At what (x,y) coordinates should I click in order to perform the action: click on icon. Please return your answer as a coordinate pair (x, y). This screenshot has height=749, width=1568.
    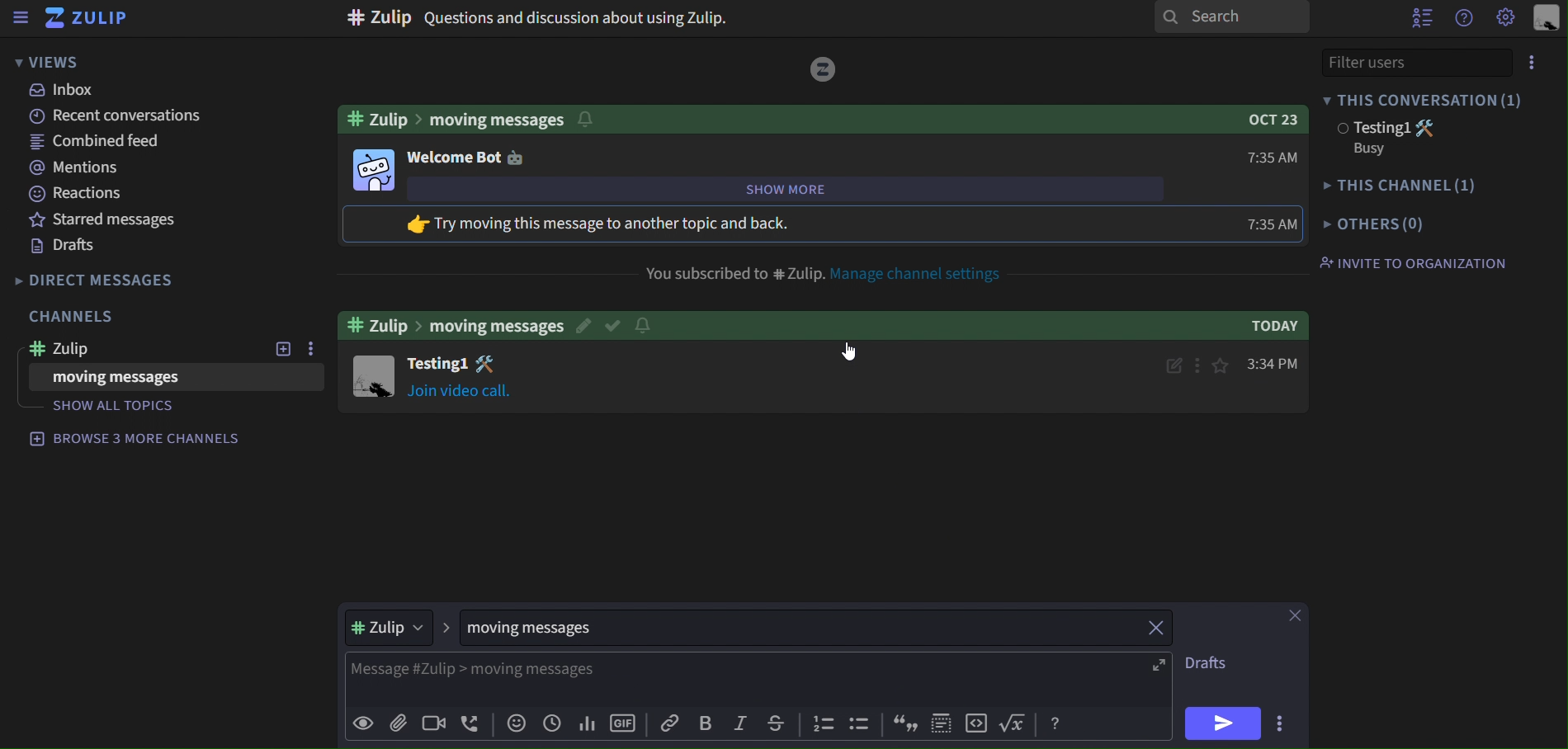
    Looking at the image, I should click on (976, 723).